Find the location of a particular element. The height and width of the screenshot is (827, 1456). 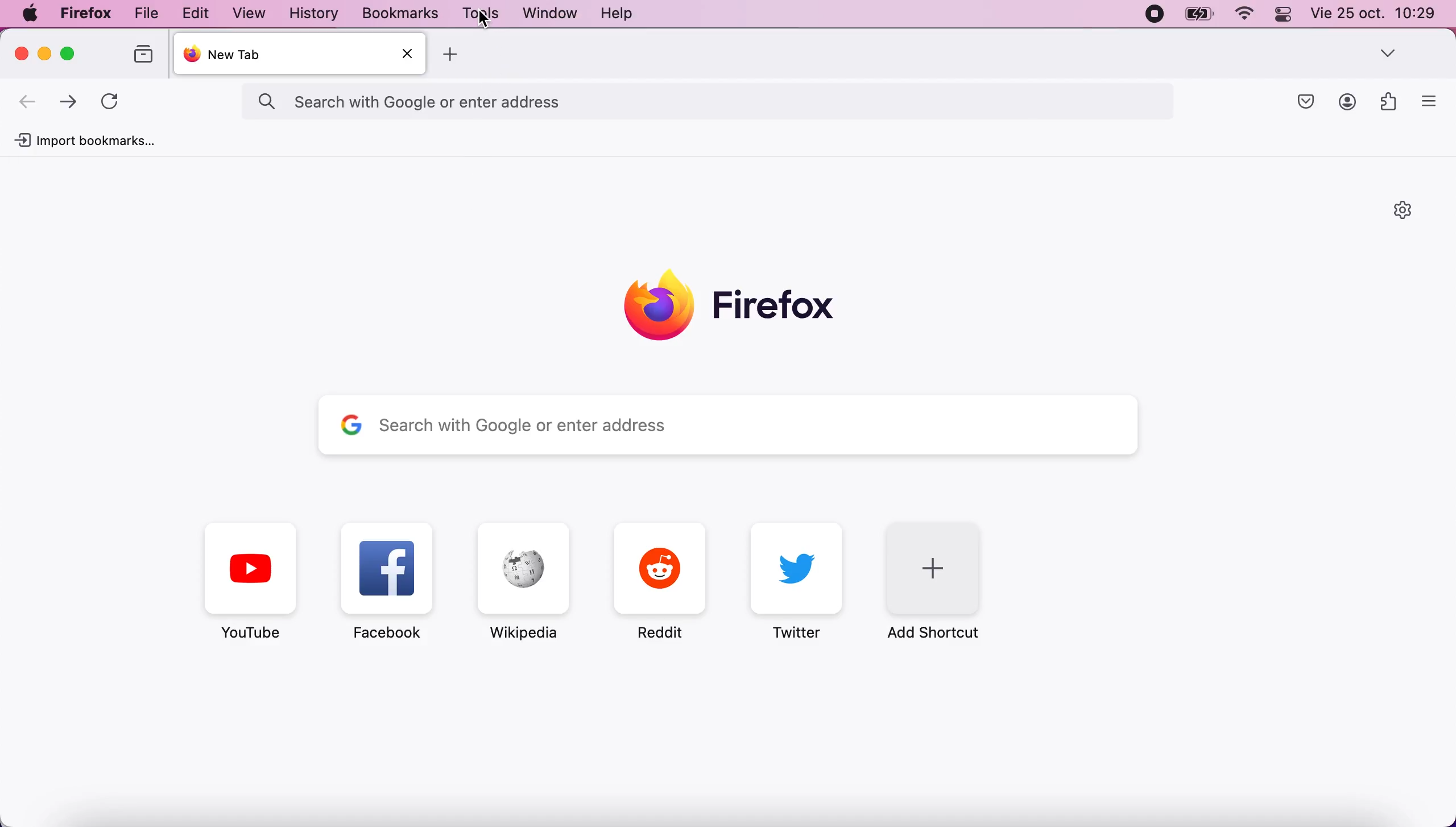

More option is located at coordinates (1430, 100).